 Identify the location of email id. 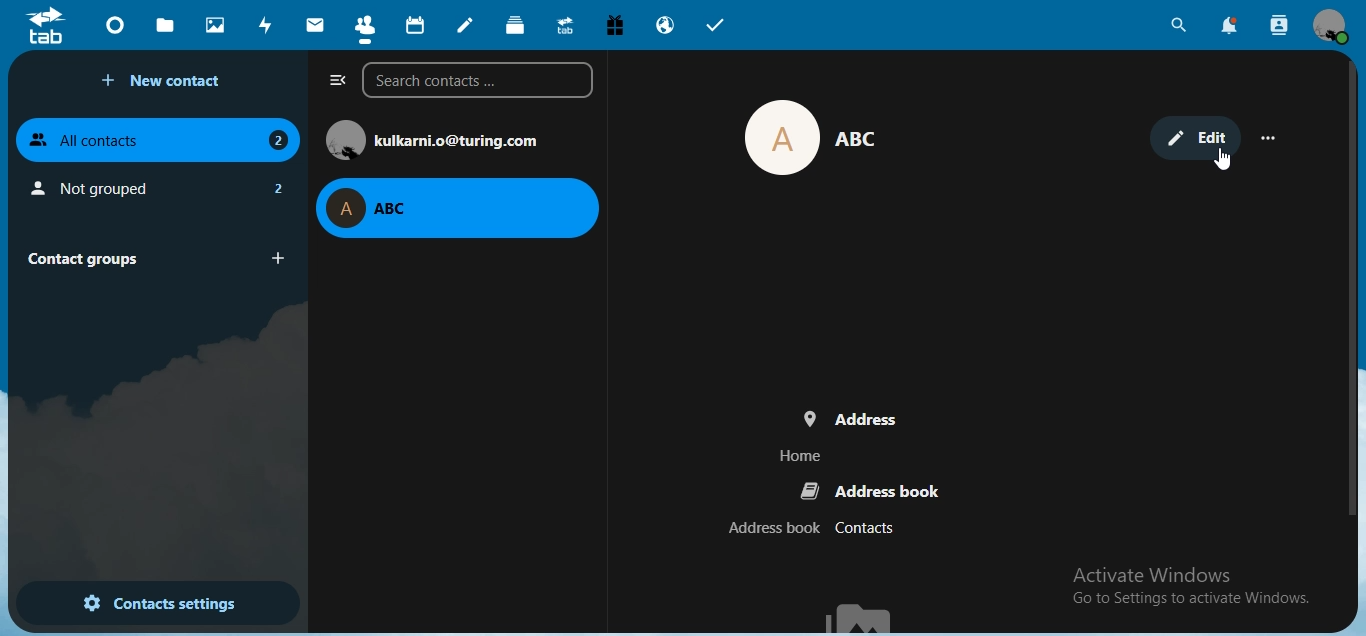
(440, 138).